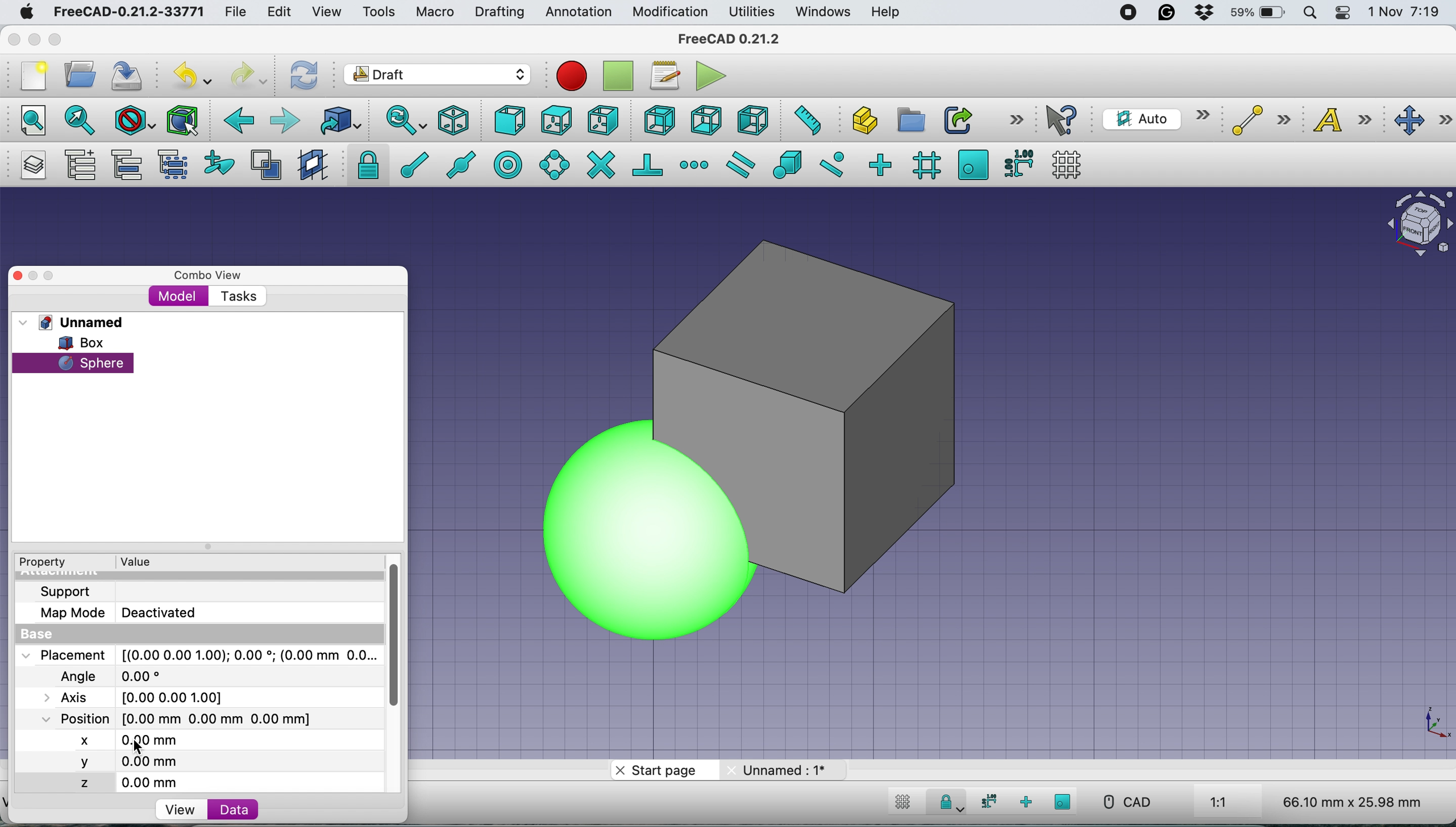 This screenshot has width=1456, height=827. What do you see at coordinates (1199, 14) in the screenshot?
I see `dropbox` at bounding box center [1199, 14].